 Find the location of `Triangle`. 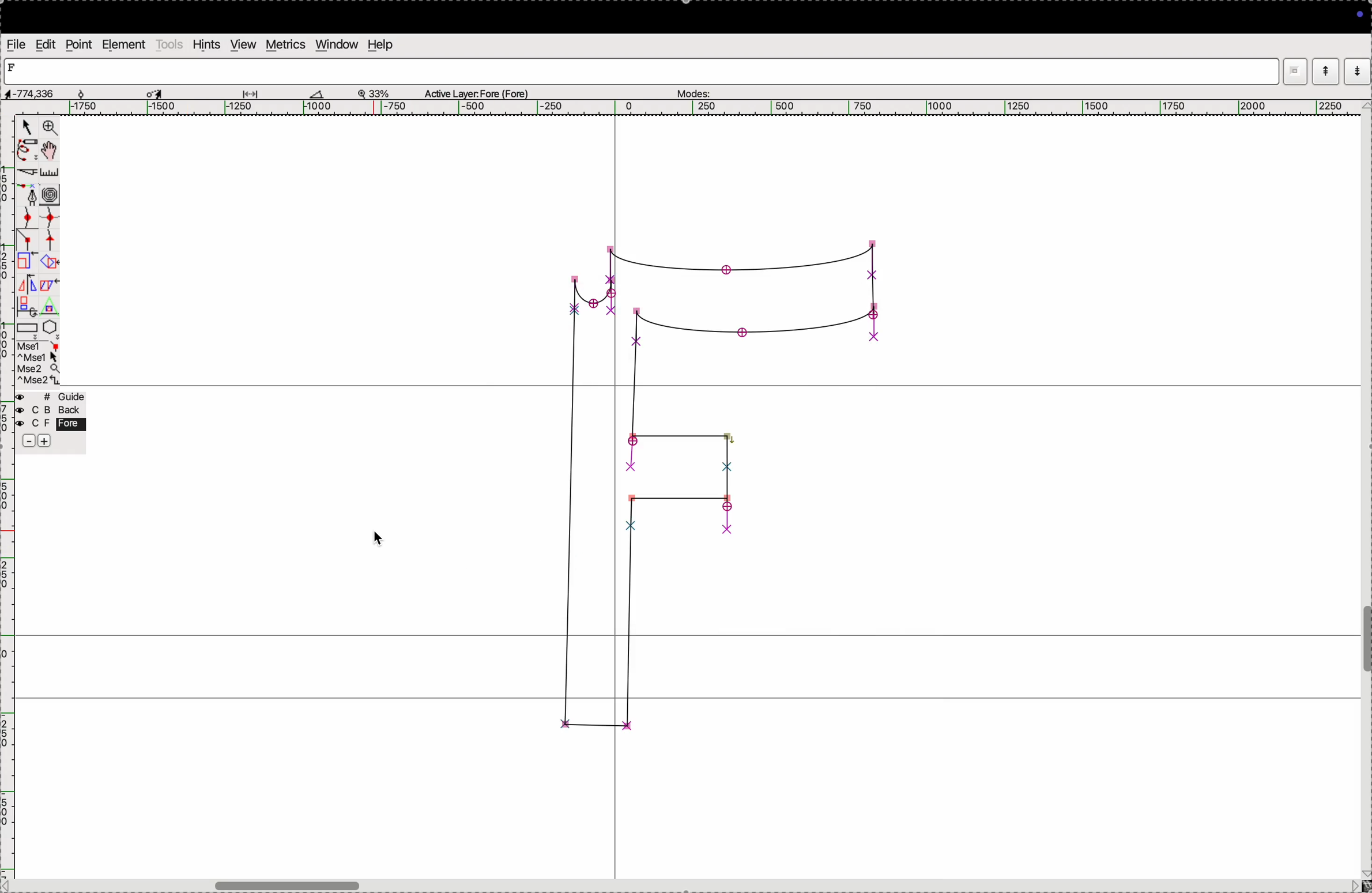

Triangle is located at coordinates (49, 306).